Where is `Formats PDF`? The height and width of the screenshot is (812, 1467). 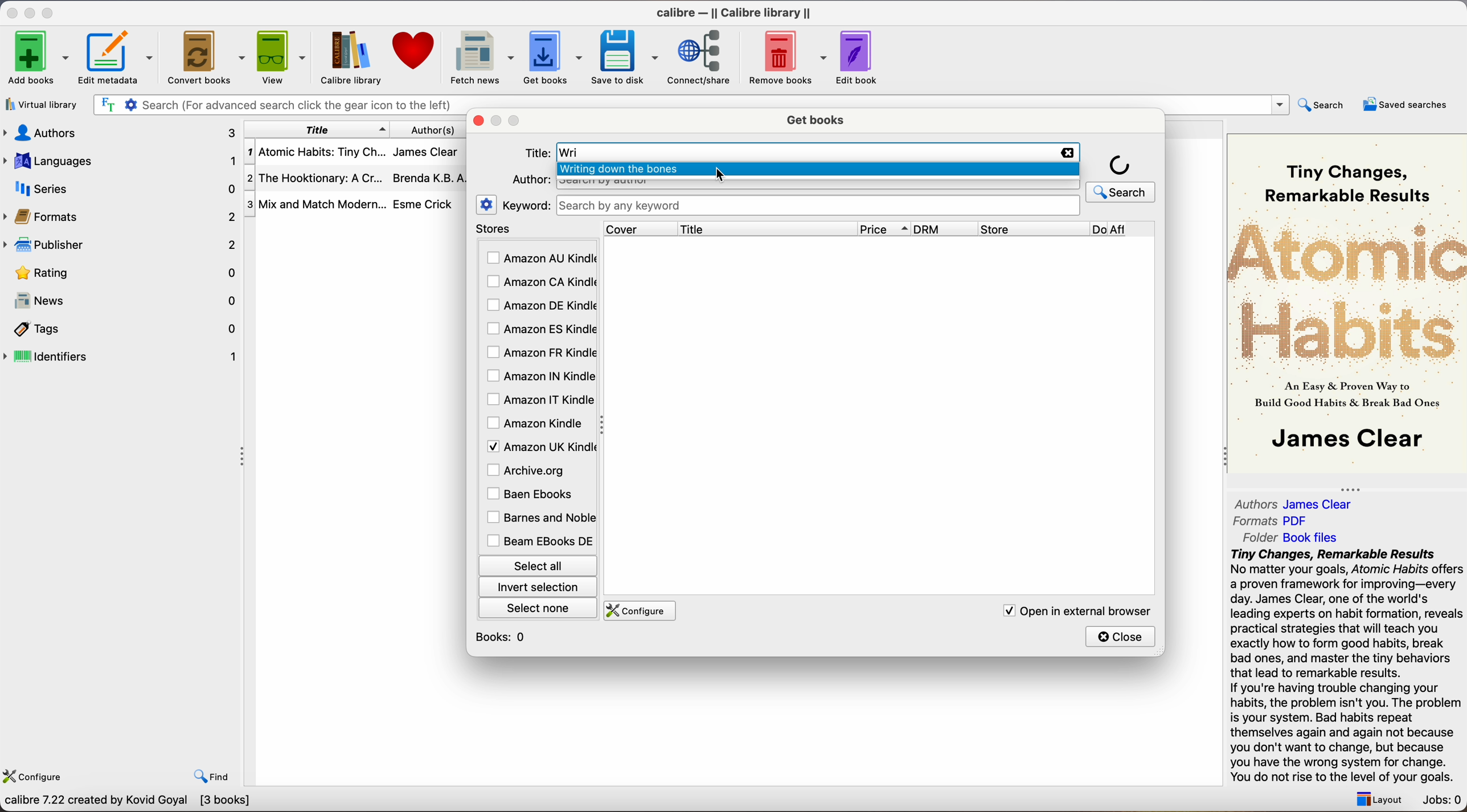 Formats PDF is located at coordinates (1272, 521).